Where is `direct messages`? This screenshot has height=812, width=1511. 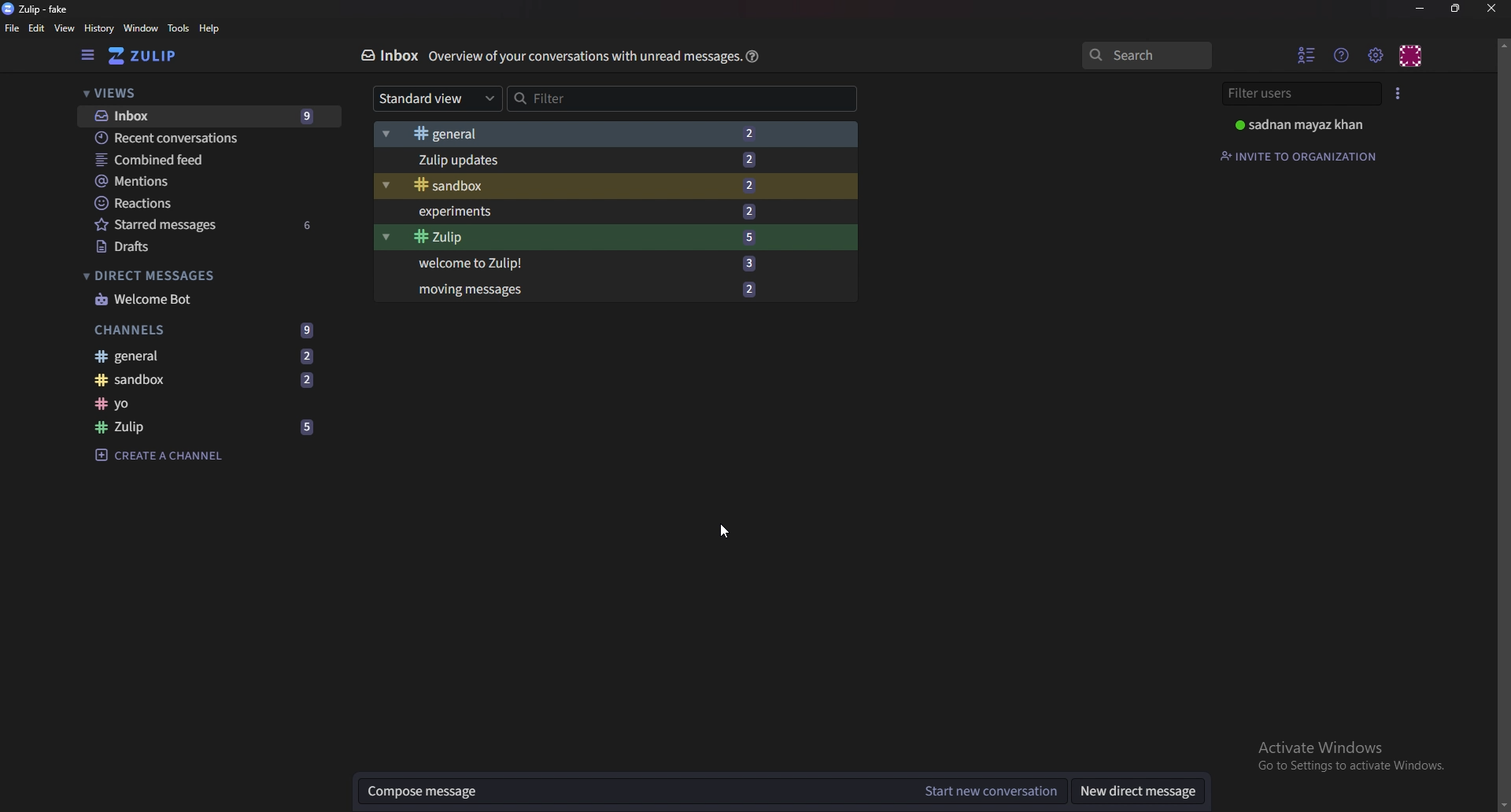 direct messages is located at coordinates (182, 275).